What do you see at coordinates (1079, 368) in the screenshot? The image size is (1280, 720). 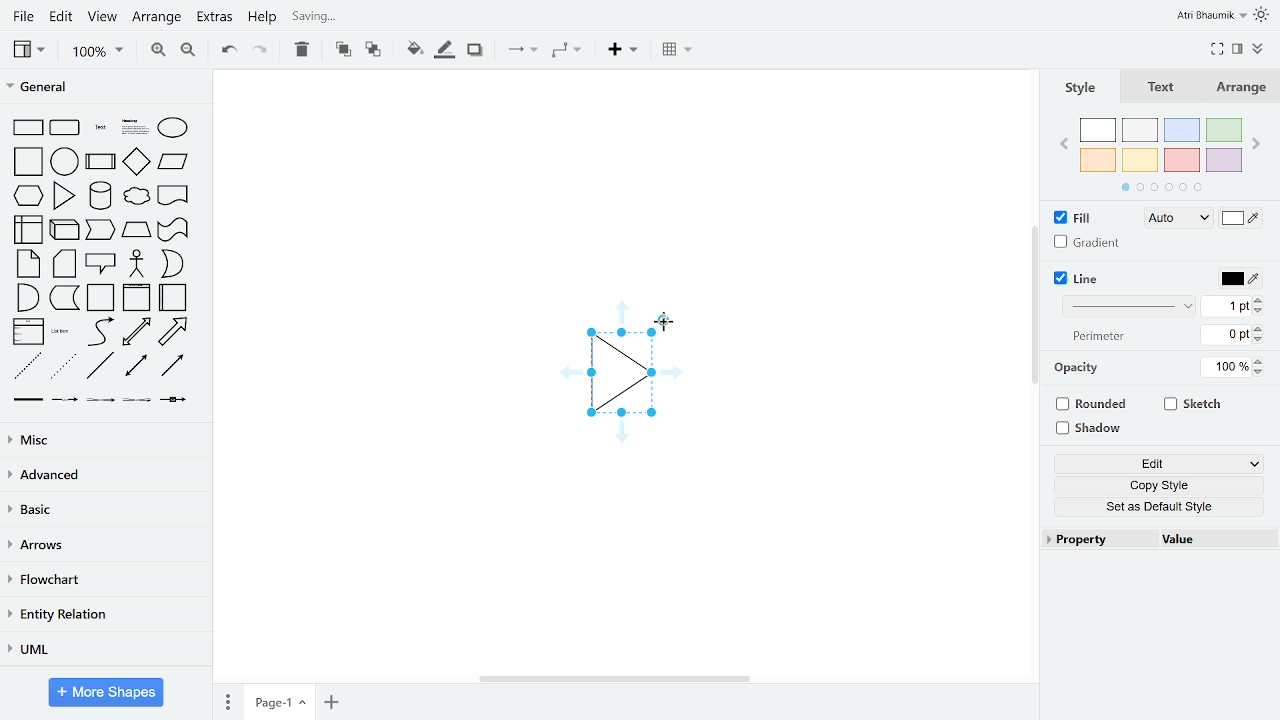 I see `opacity` at bounding box center [1079, 368].